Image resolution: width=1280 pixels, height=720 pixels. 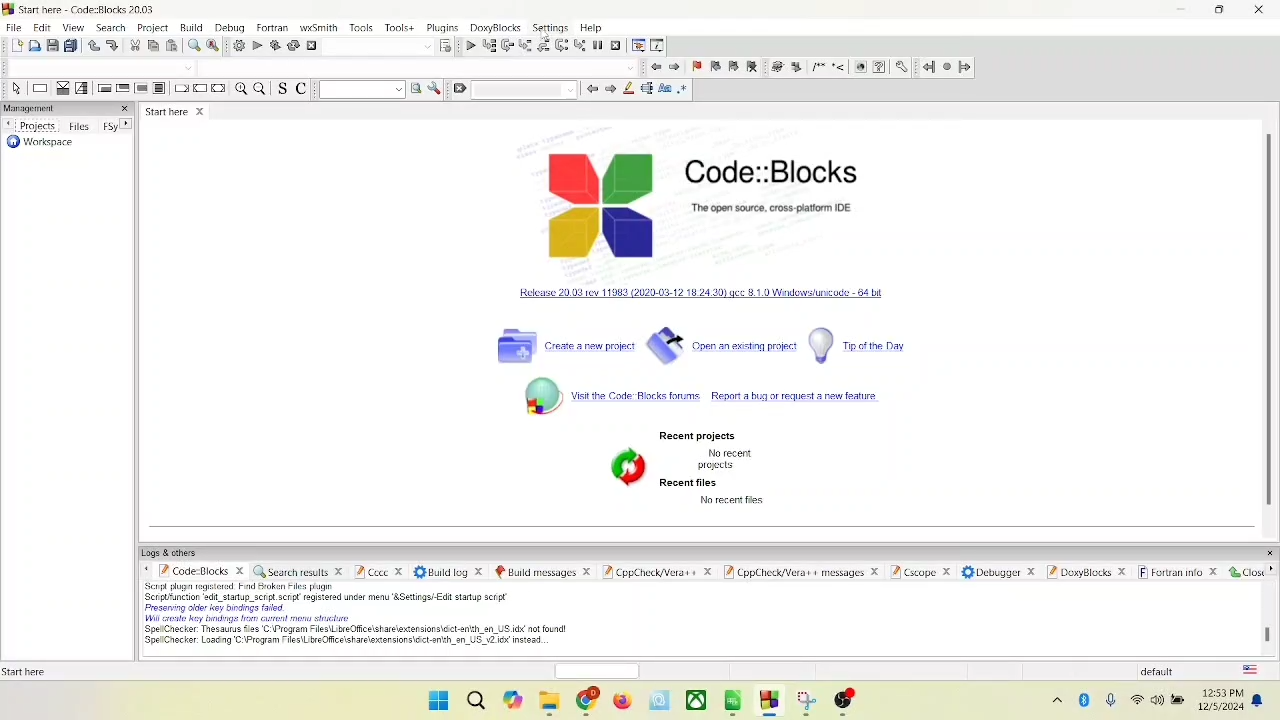 What do you see at coordinates (68, 44) in the screenshot?
I see `save everything` at bounding box center [68, 44].